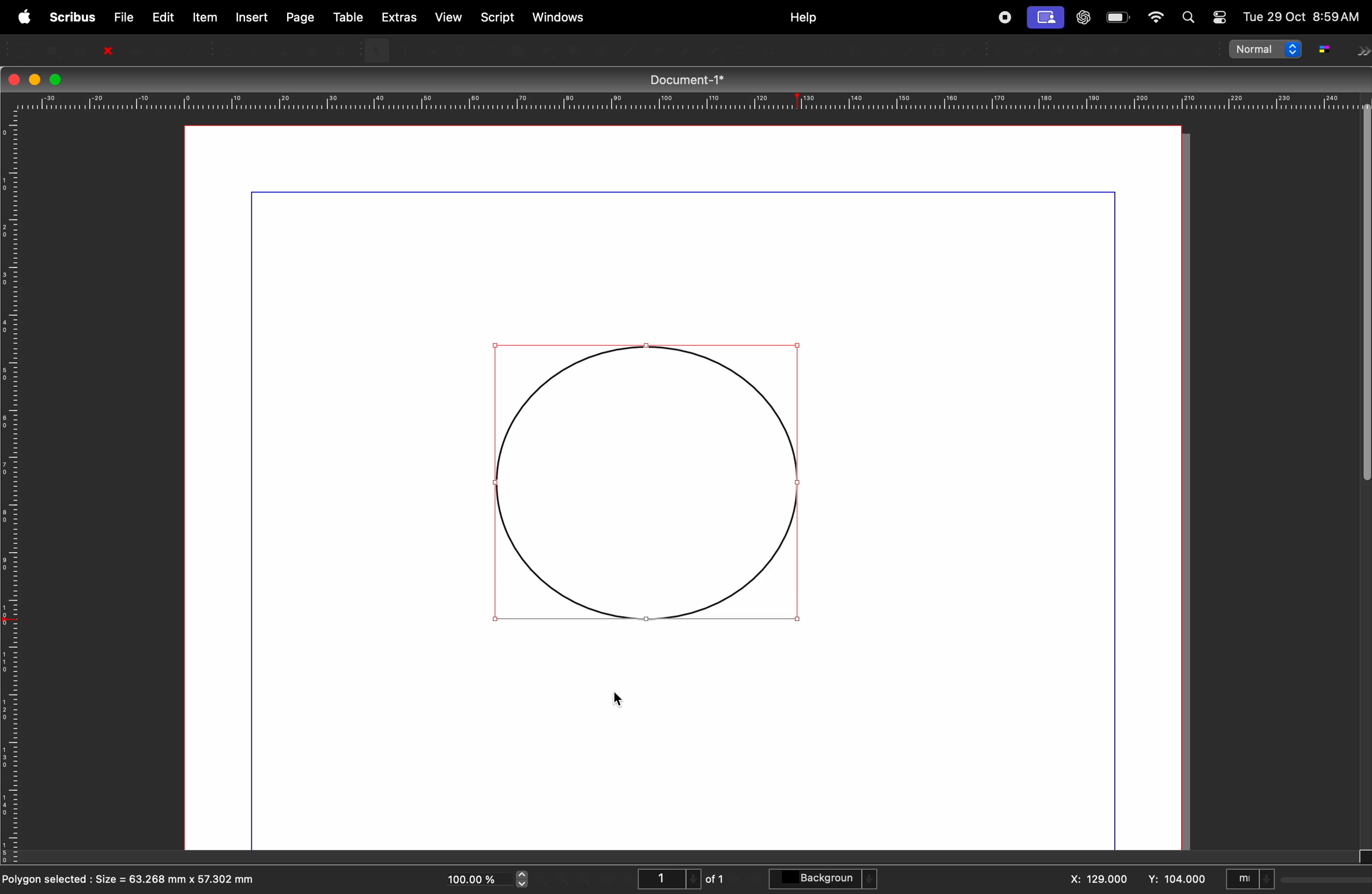 The image size is (1372, 894). What do you see at coordinates (1062, 50) in the screenshot?
I see `PDF radio button` at bounding box center [1062, 50].